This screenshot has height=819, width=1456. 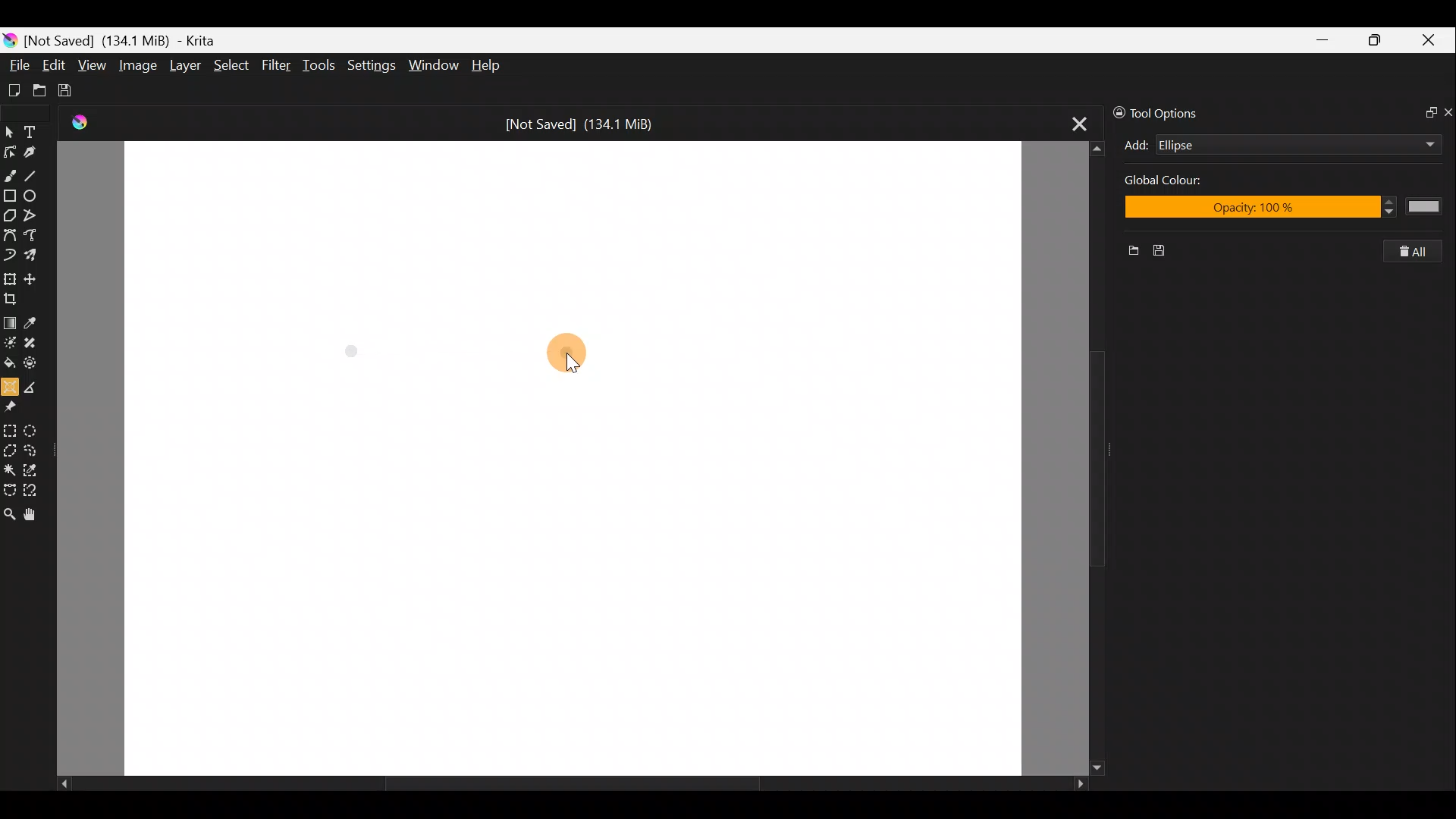 I want to click on Magnetic curve selection tool, so click(x=36, y=488).